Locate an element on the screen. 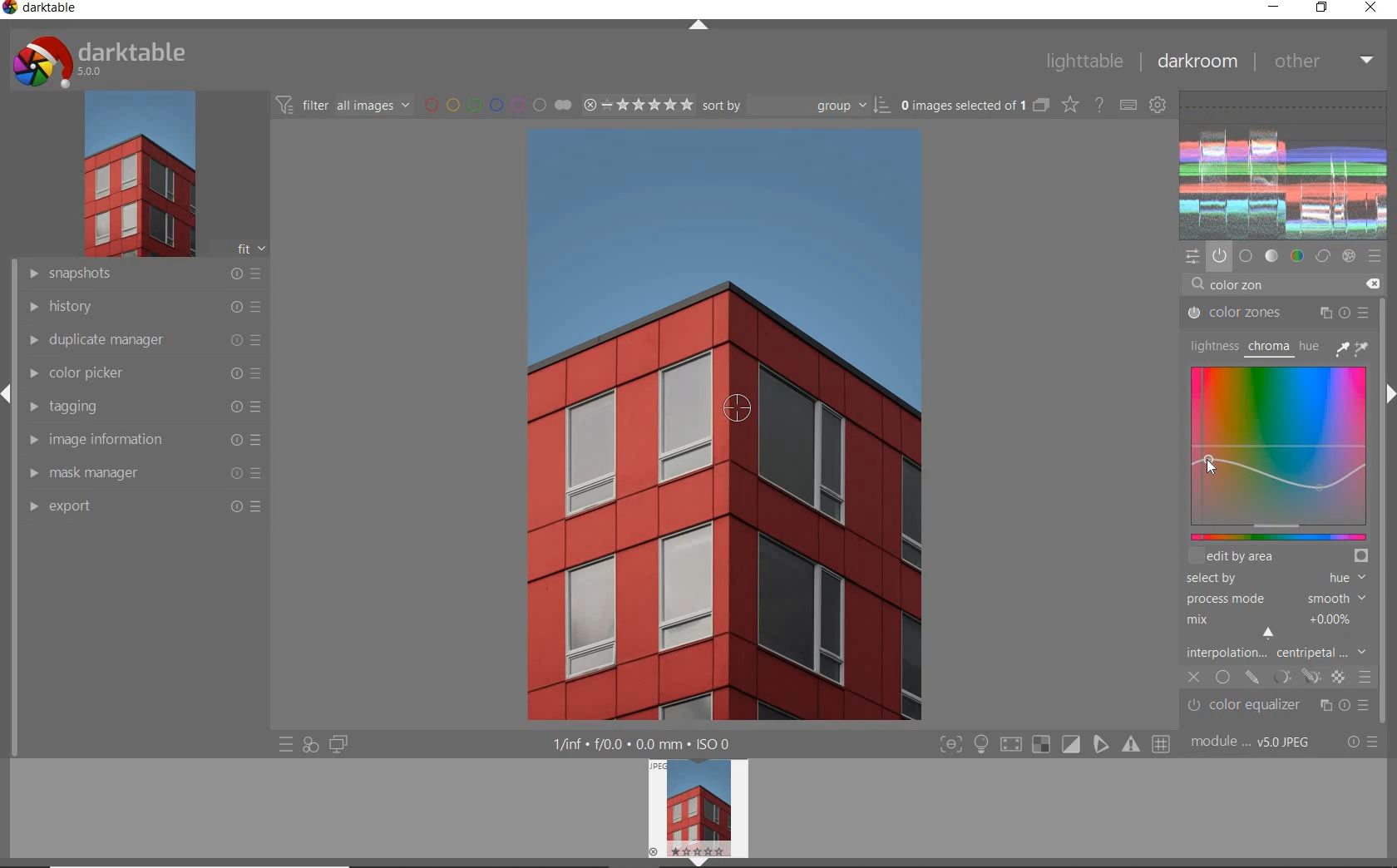 The width and height of the screenshot is (1397, 868). change type of overlays is located at coordinates (1072, 106).